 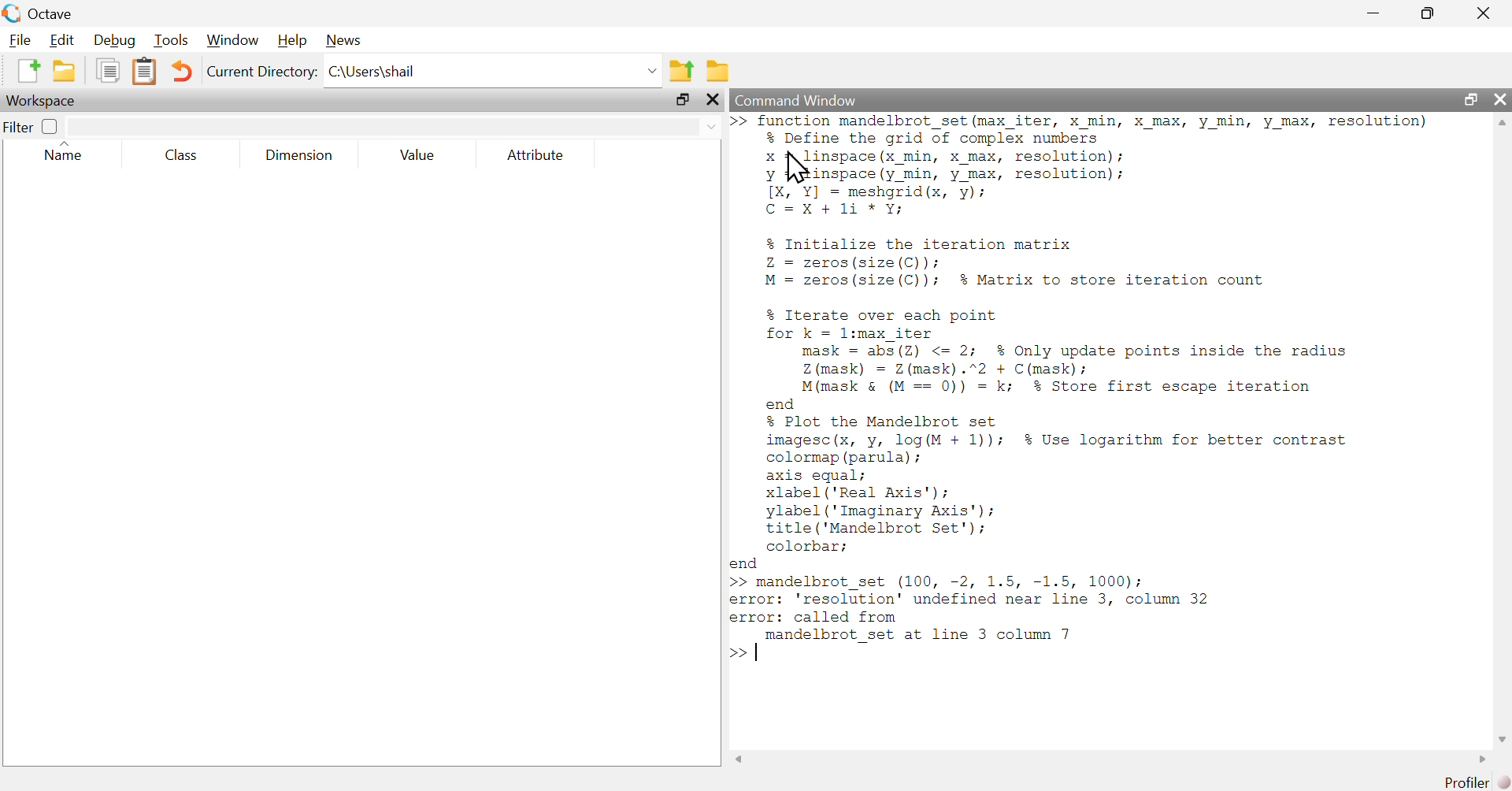 I want to click on Scrollbar right, so click(x=1479, y=759).